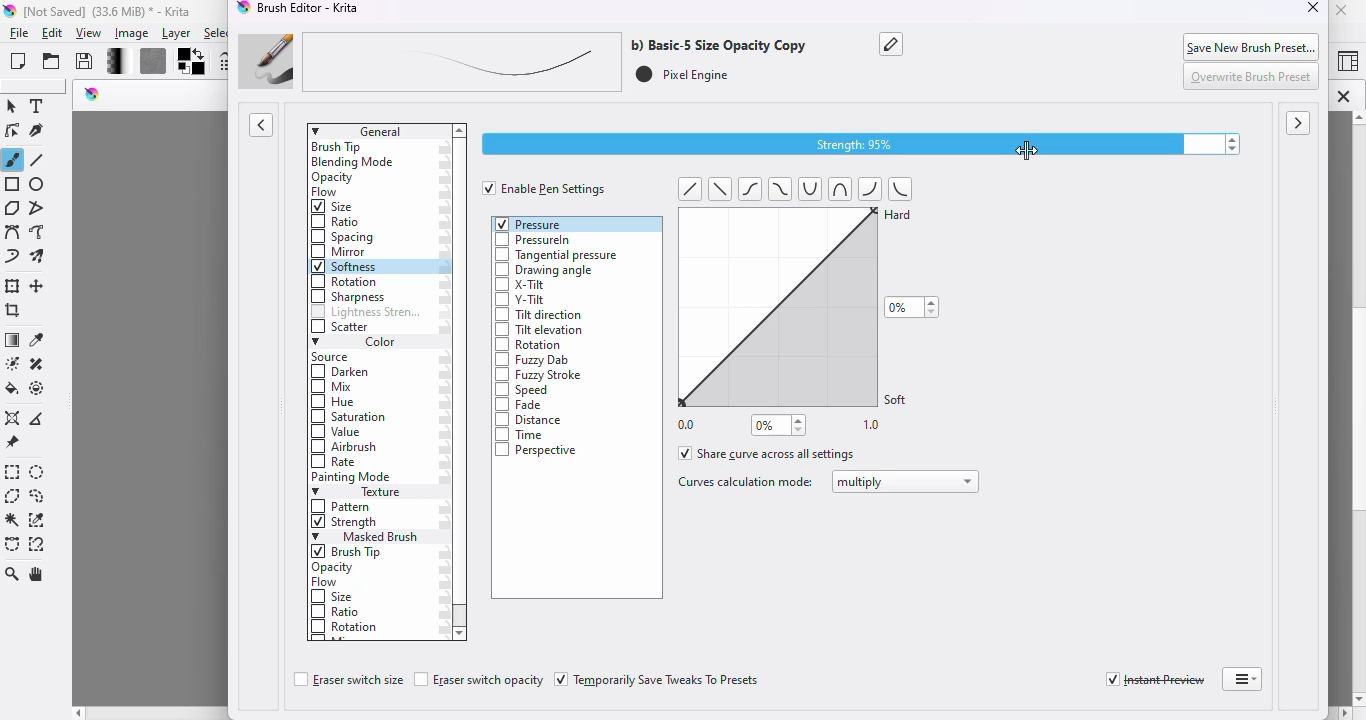 This screenshot has width=1366, height=720. I want to click on tilt elevation, so click(539, 331).